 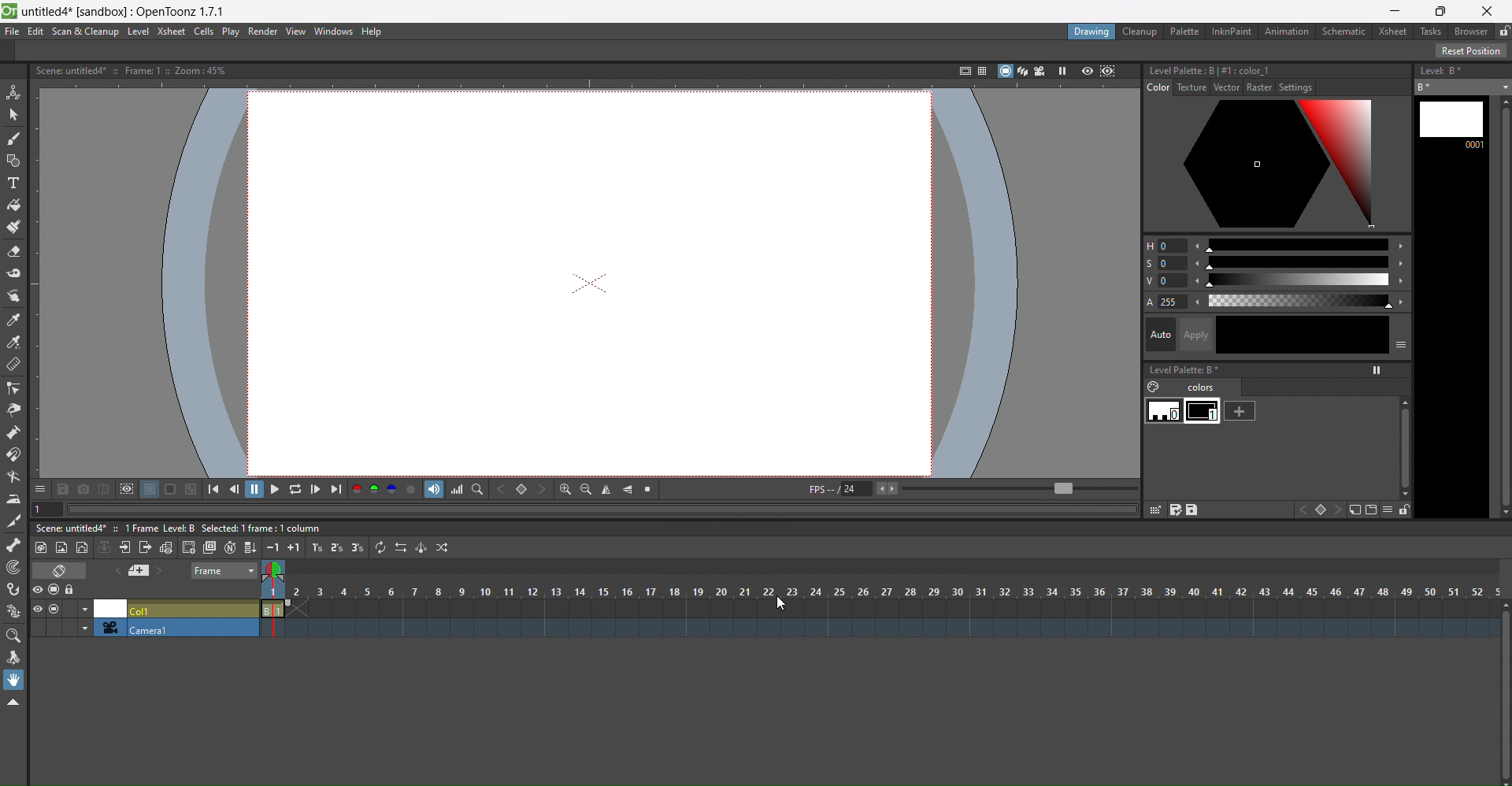 What do you see at coordinates (586, 489) in the screenshot?
I see `zoom out` at bounding box center [586, 489].